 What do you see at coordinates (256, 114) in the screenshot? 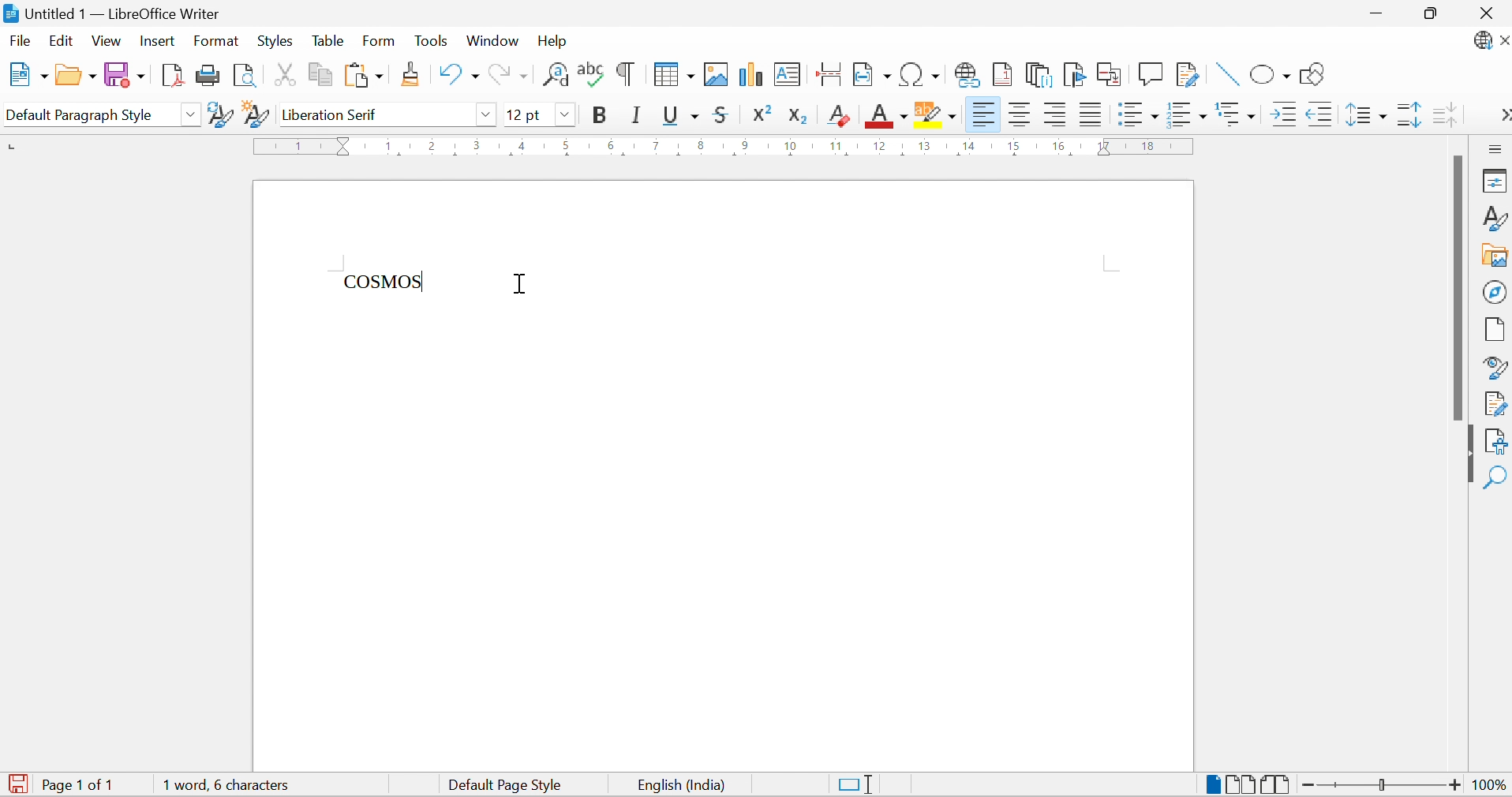
I see `New Style from Selection` at bounding box center [256, 114].